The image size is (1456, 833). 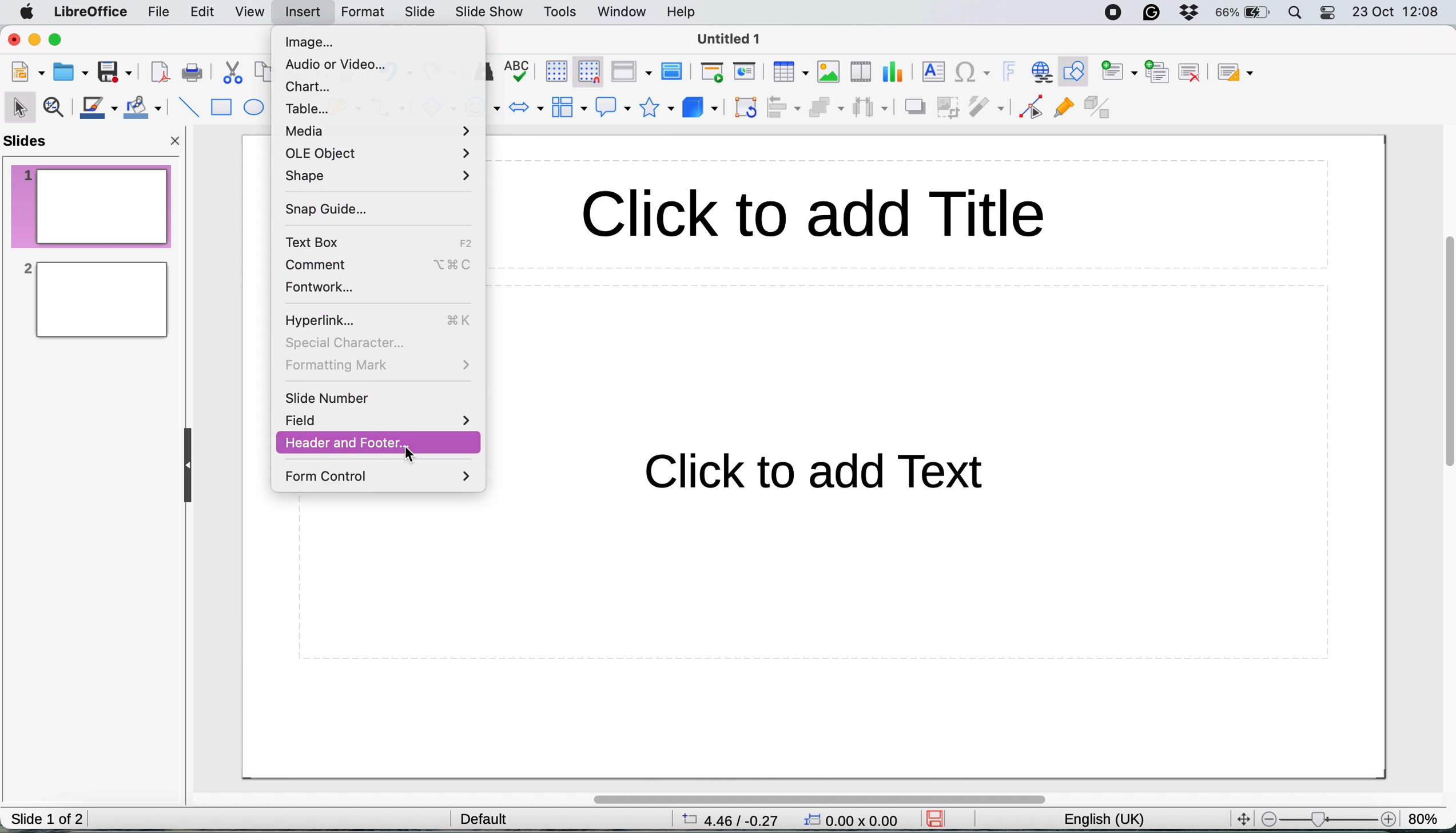 What do you see at coordinates (344, 343) in the screenshot?
I see `special character` at bounding box center [344, 343].